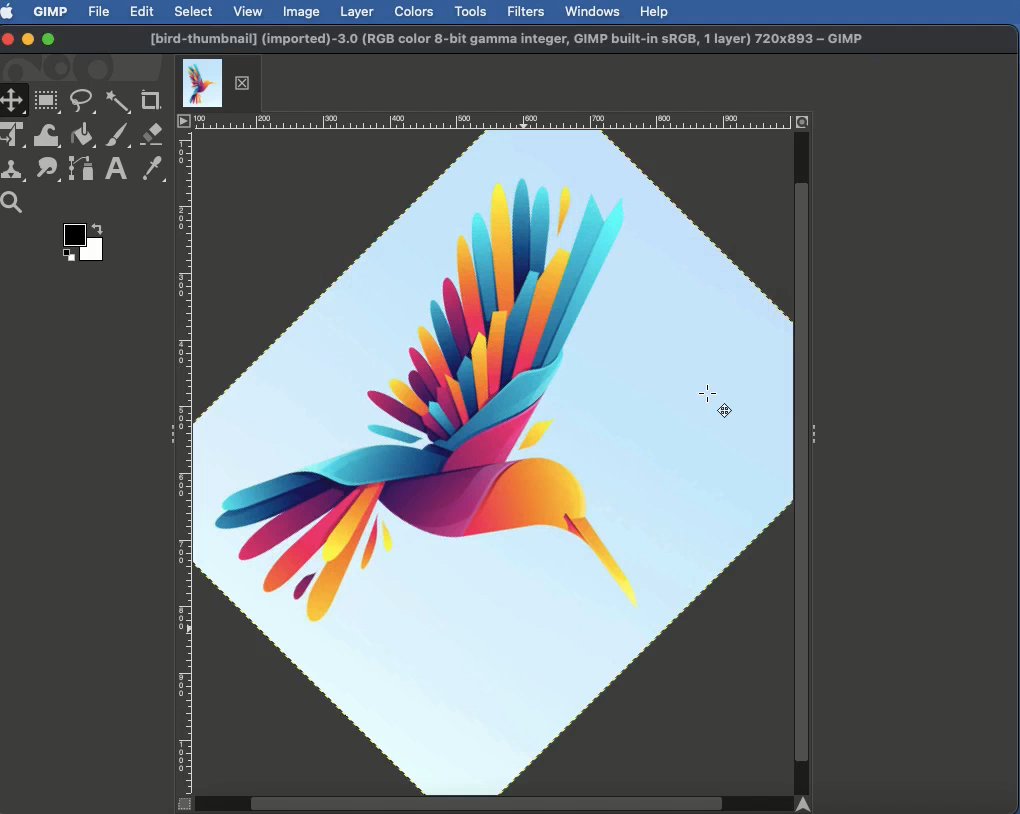 The height and width of the screenshot is (814, 1020). What do you see at coordinates (84, 104) in the screenshot?
I see `Freeform selector` at bounding box center [84, 104].